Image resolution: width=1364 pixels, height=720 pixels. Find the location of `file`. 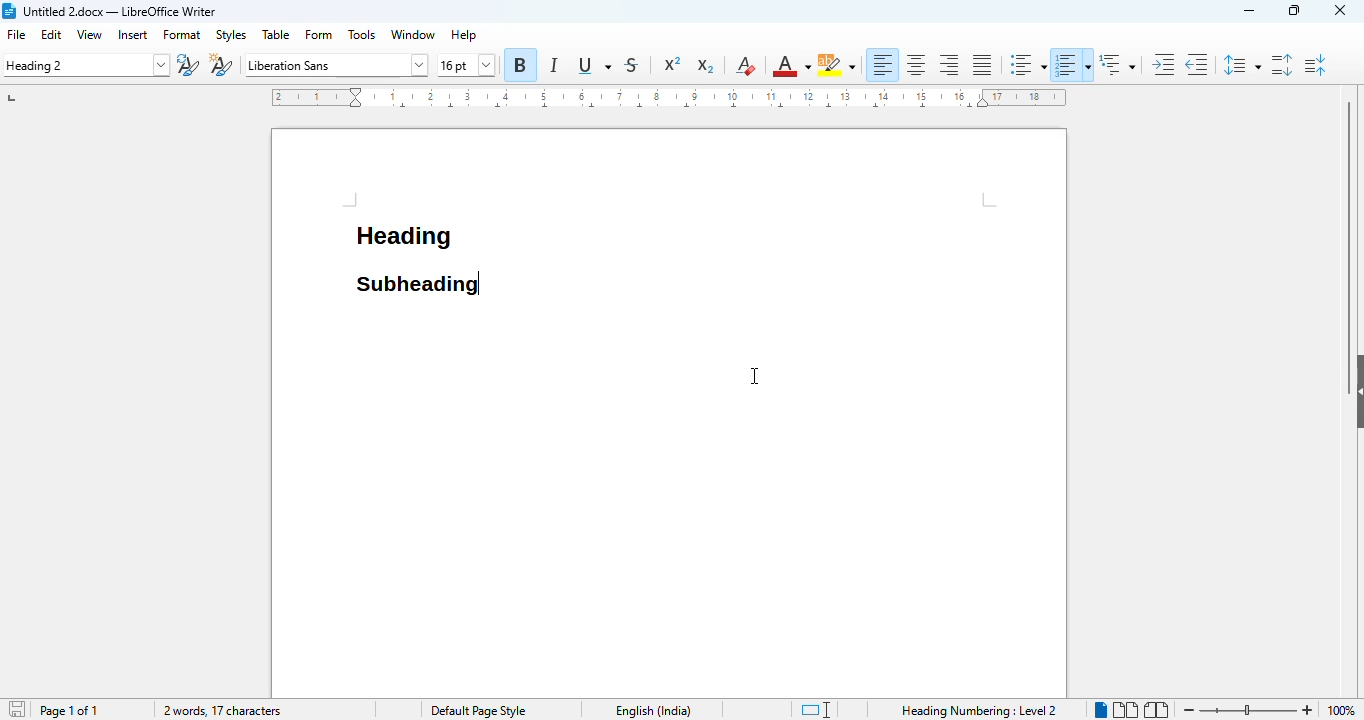

file is located at coordinates (15, 35).